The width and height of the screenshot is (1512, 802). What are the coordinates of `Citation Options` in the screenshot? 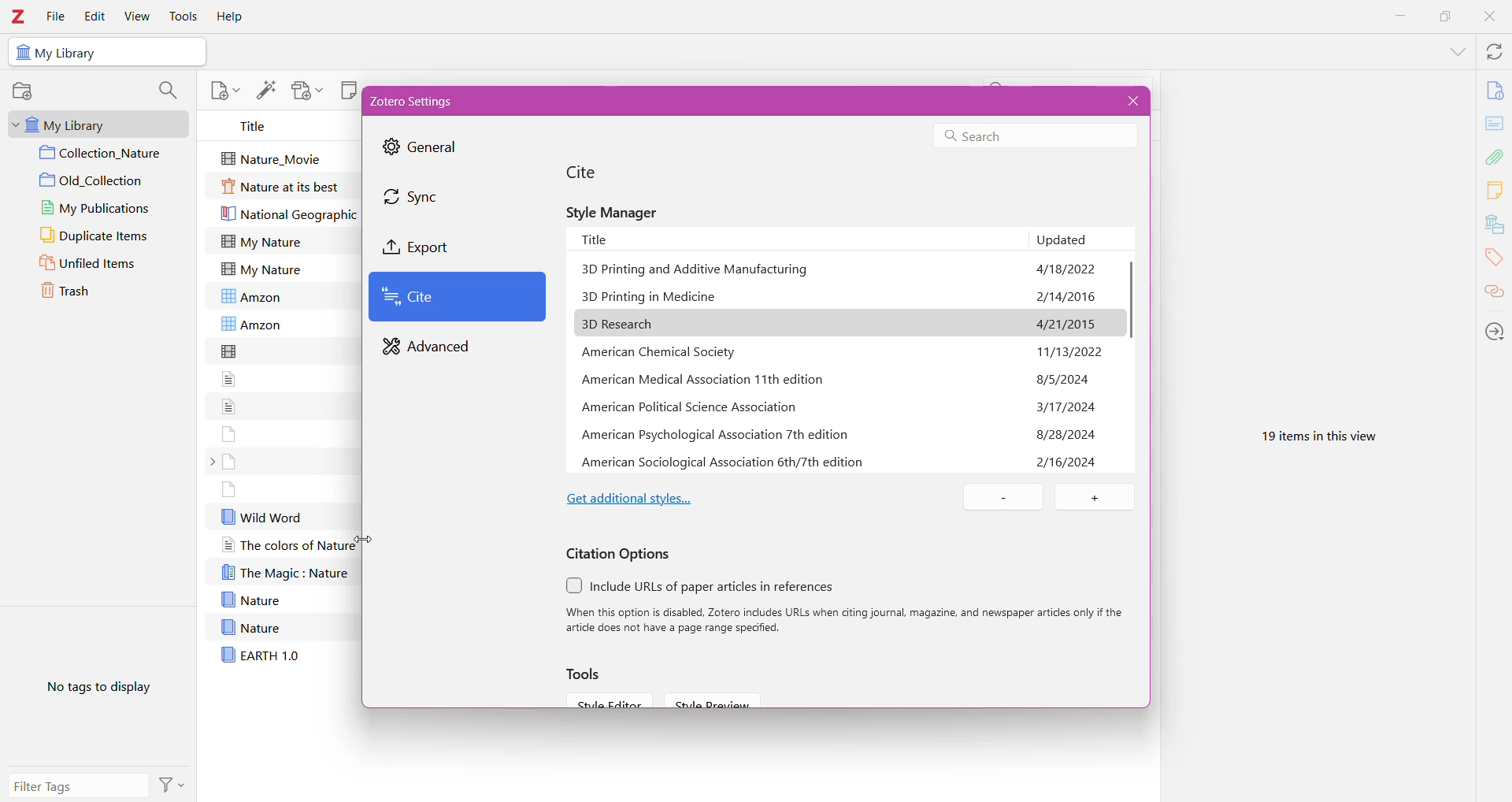 It's located at (620, 554).